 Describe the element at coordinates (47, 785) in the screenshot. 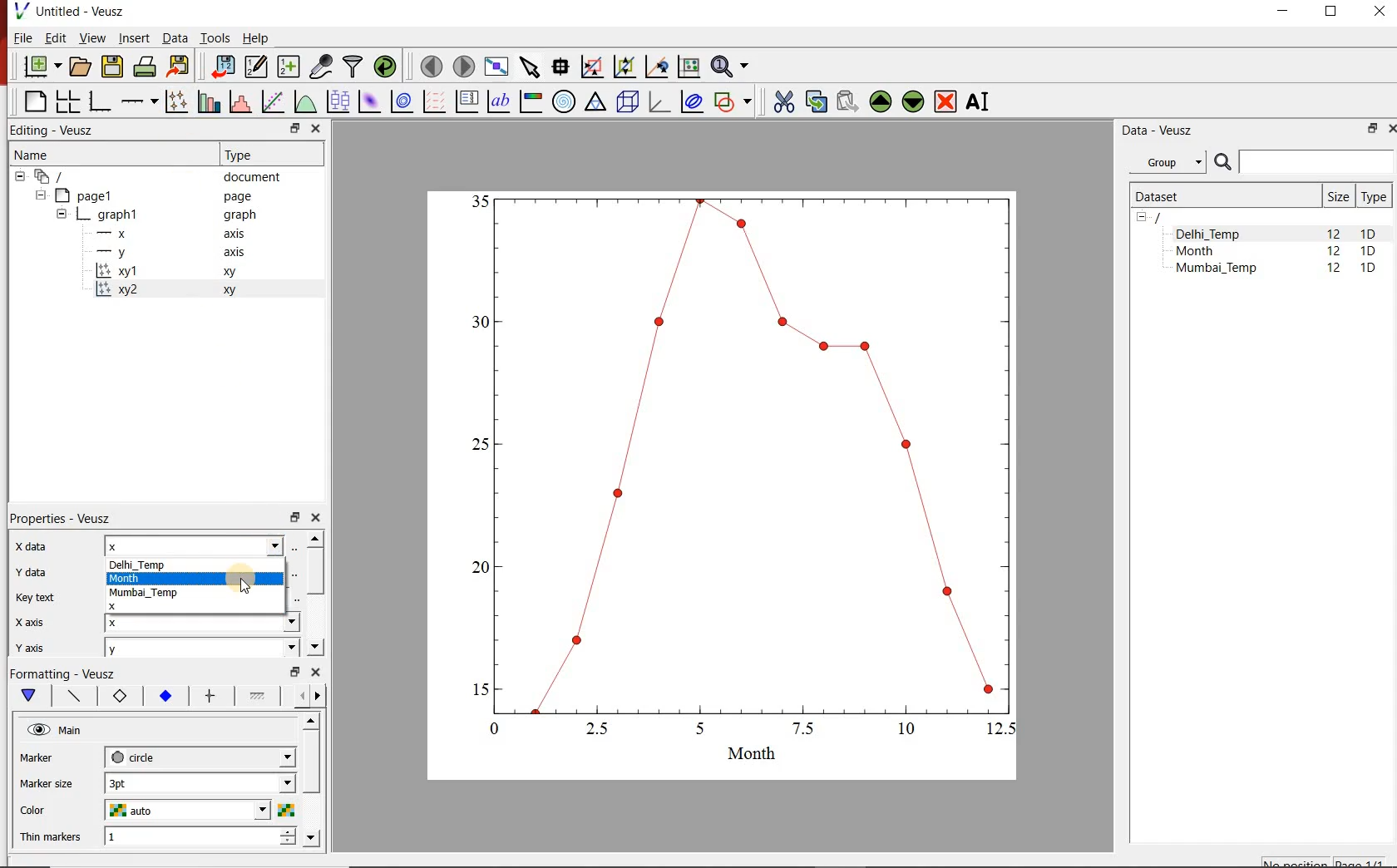

I see `Marker size` at that location.